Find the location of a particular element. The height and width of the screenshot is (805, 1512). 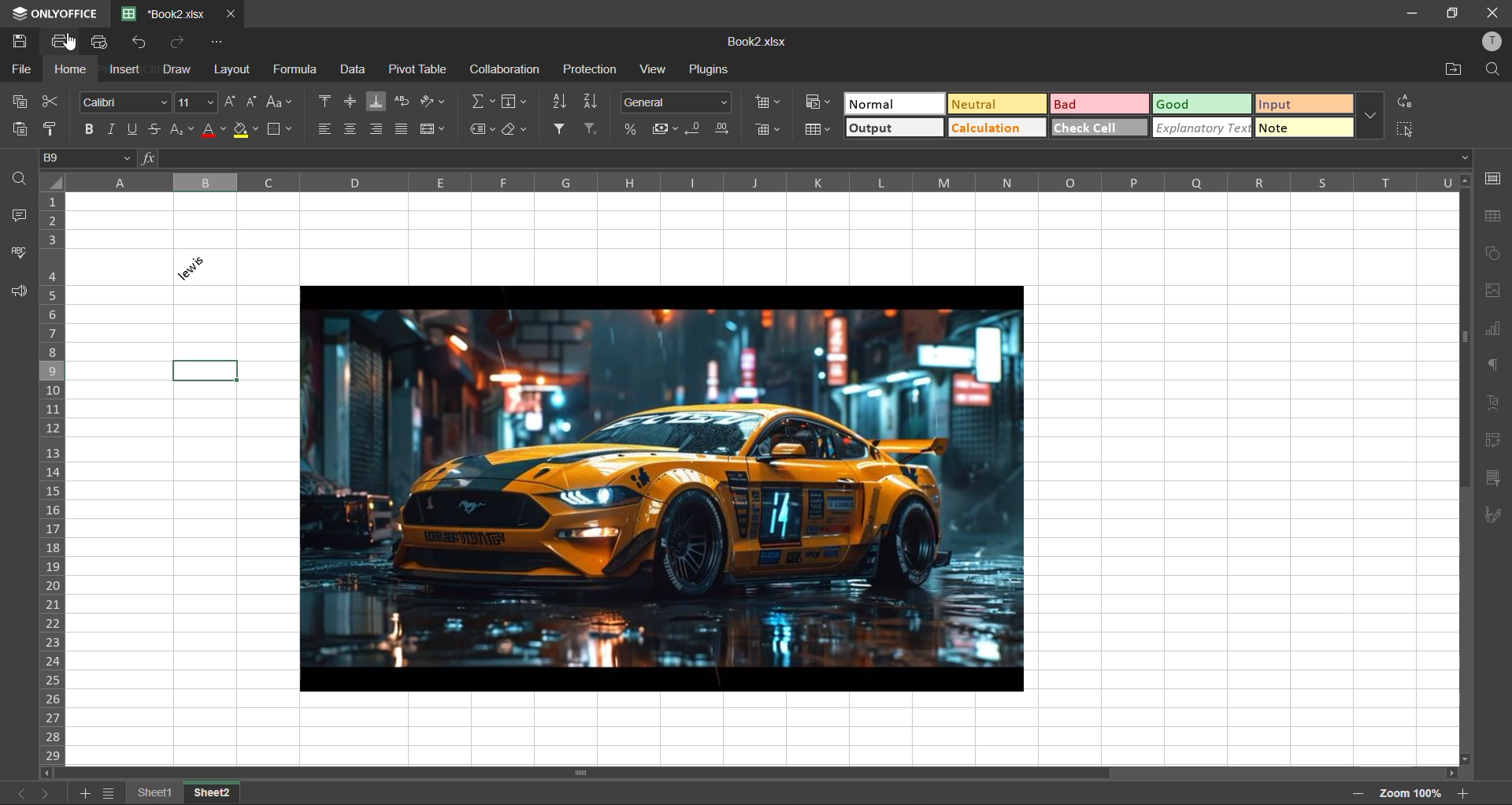

profile is located at coordinates (1493, 41).